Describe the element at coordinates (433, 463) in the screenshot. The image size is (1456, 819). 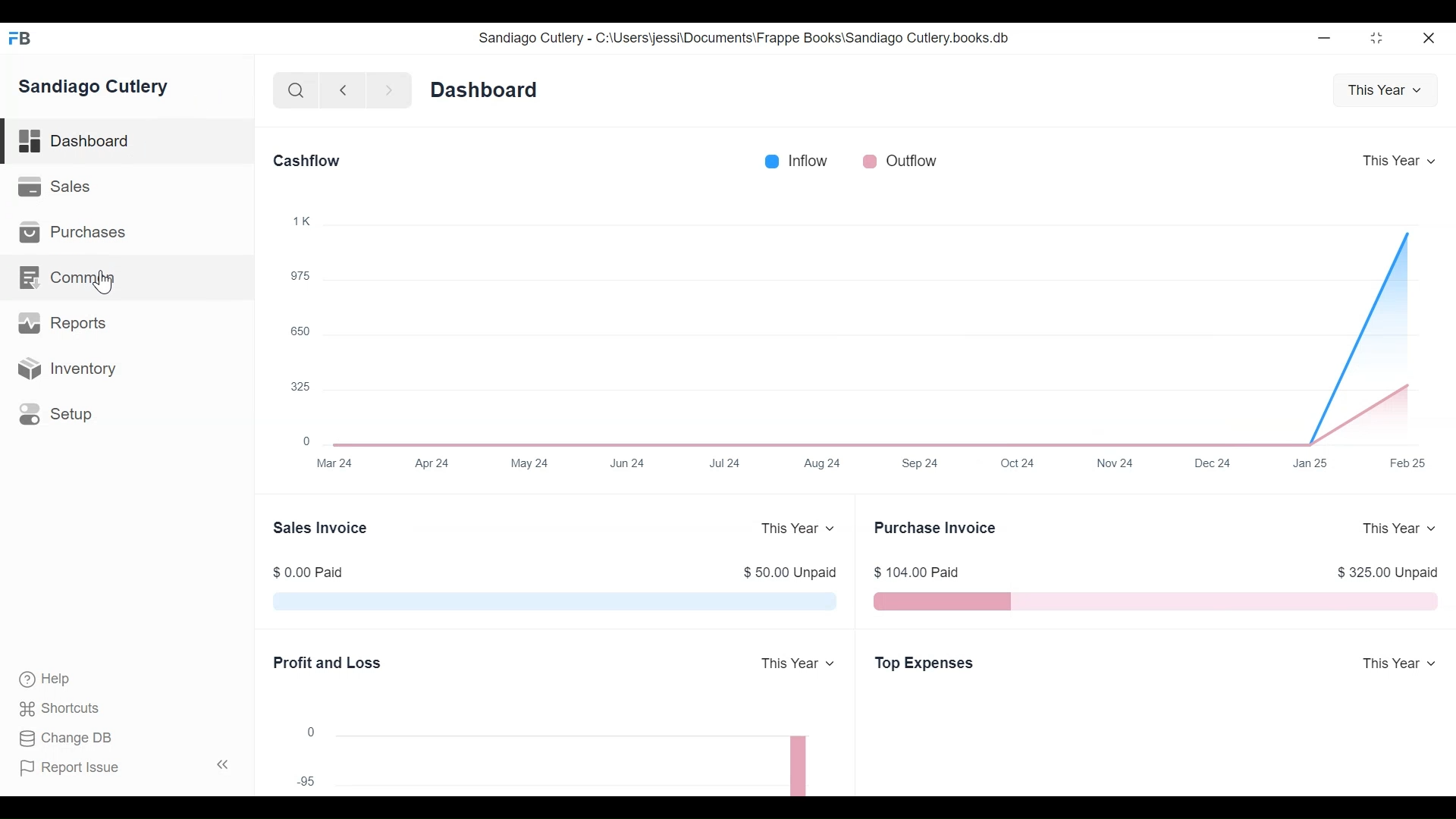
I see `Apr 24` at that location.